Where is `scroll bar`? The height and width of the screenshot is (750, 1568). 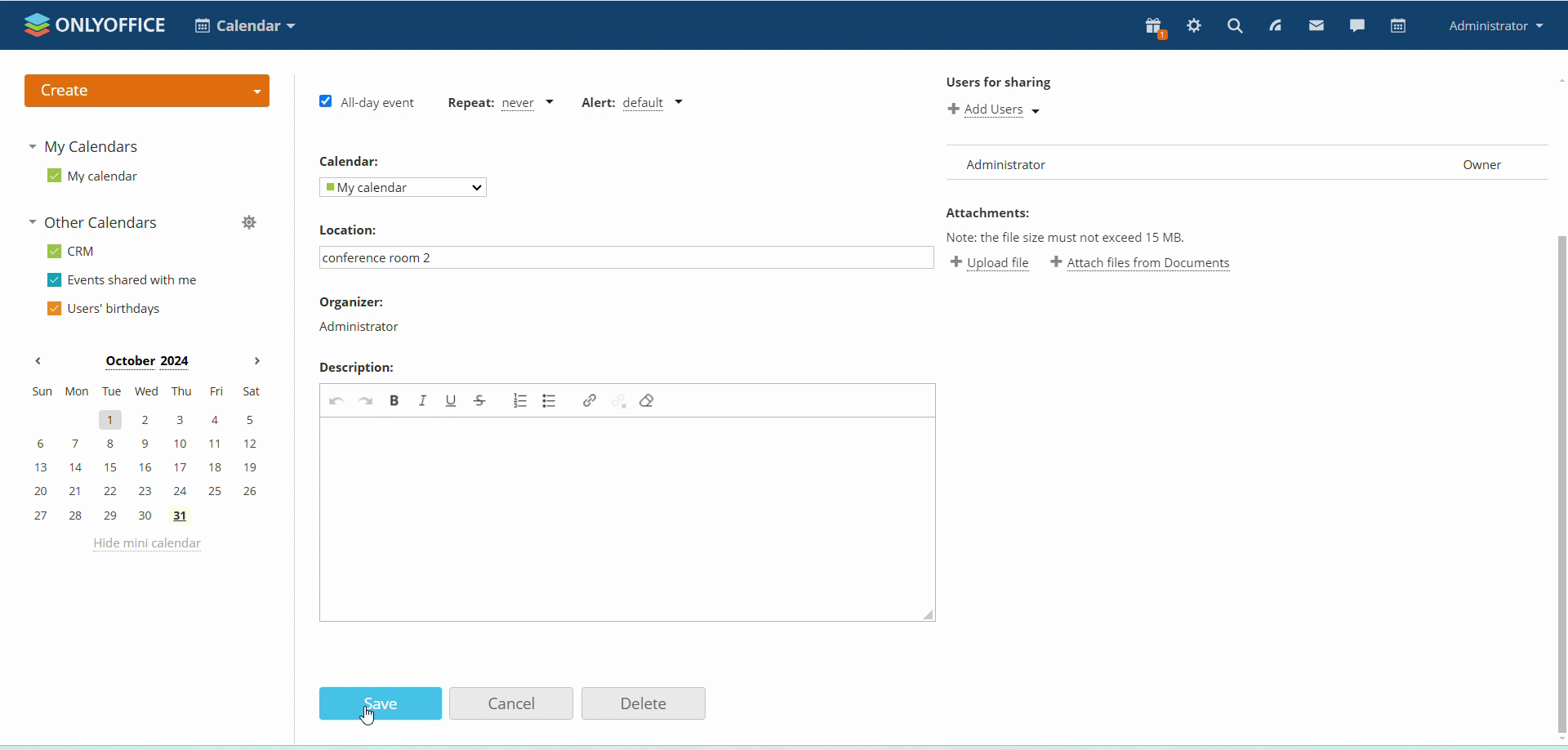
scroll bar is located at coordinates (1558, 484).